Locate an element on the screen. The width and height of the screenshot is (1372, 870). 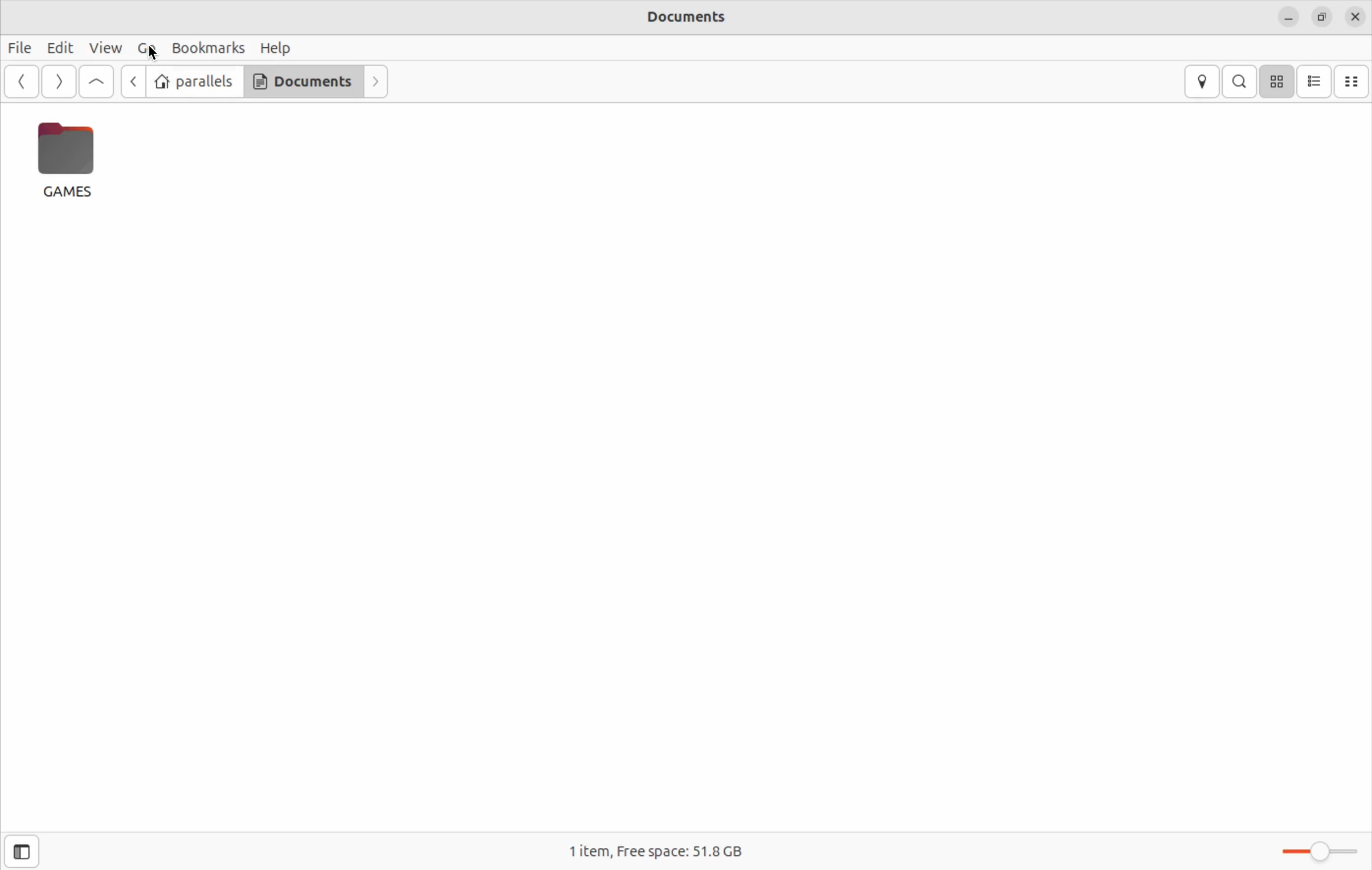
location is located at coordinates (1203, 82).